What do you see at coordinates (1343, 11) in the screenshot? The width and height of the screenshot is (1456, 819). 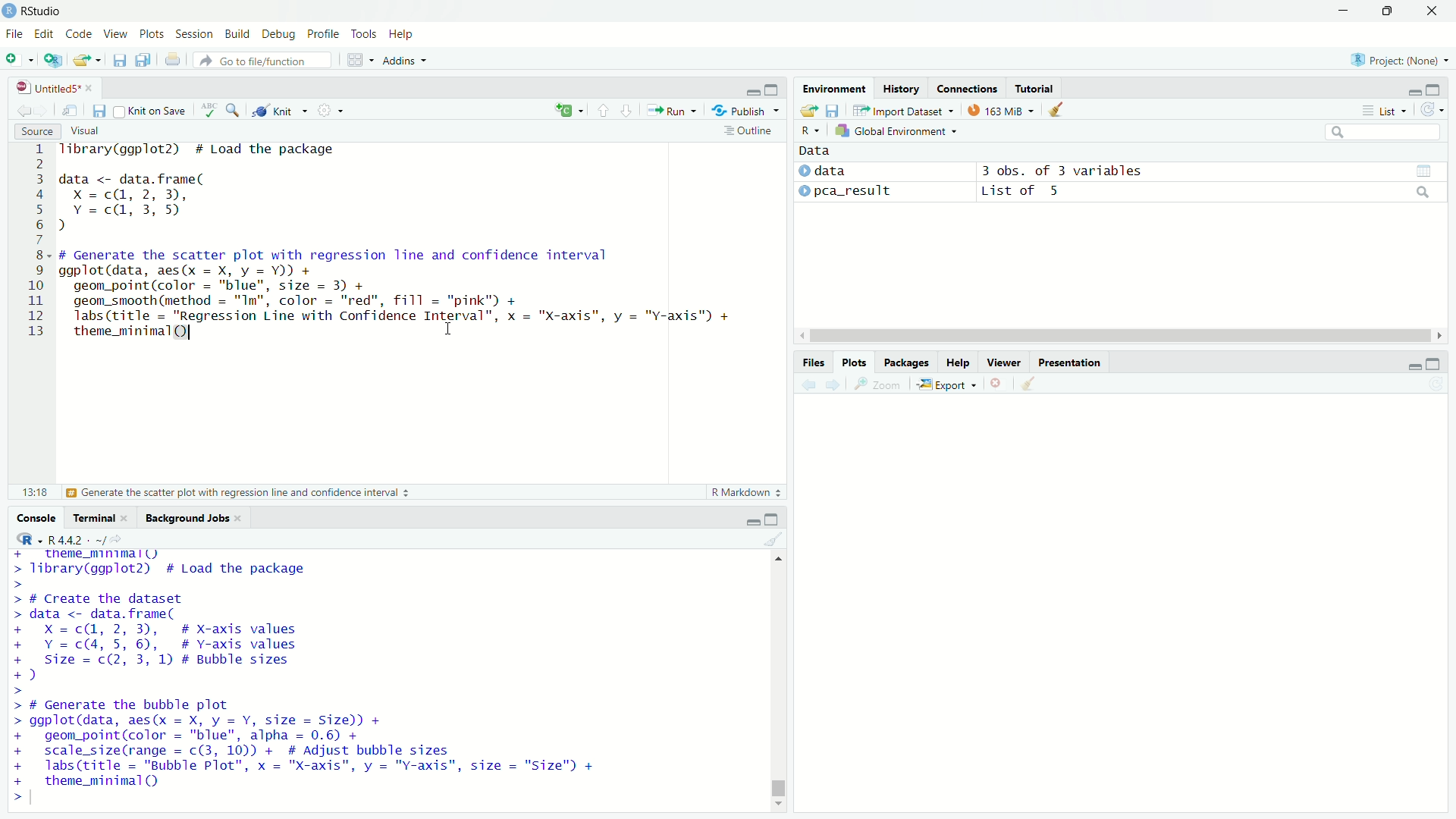 I see `minimize` at bounding box center [1343, 11].